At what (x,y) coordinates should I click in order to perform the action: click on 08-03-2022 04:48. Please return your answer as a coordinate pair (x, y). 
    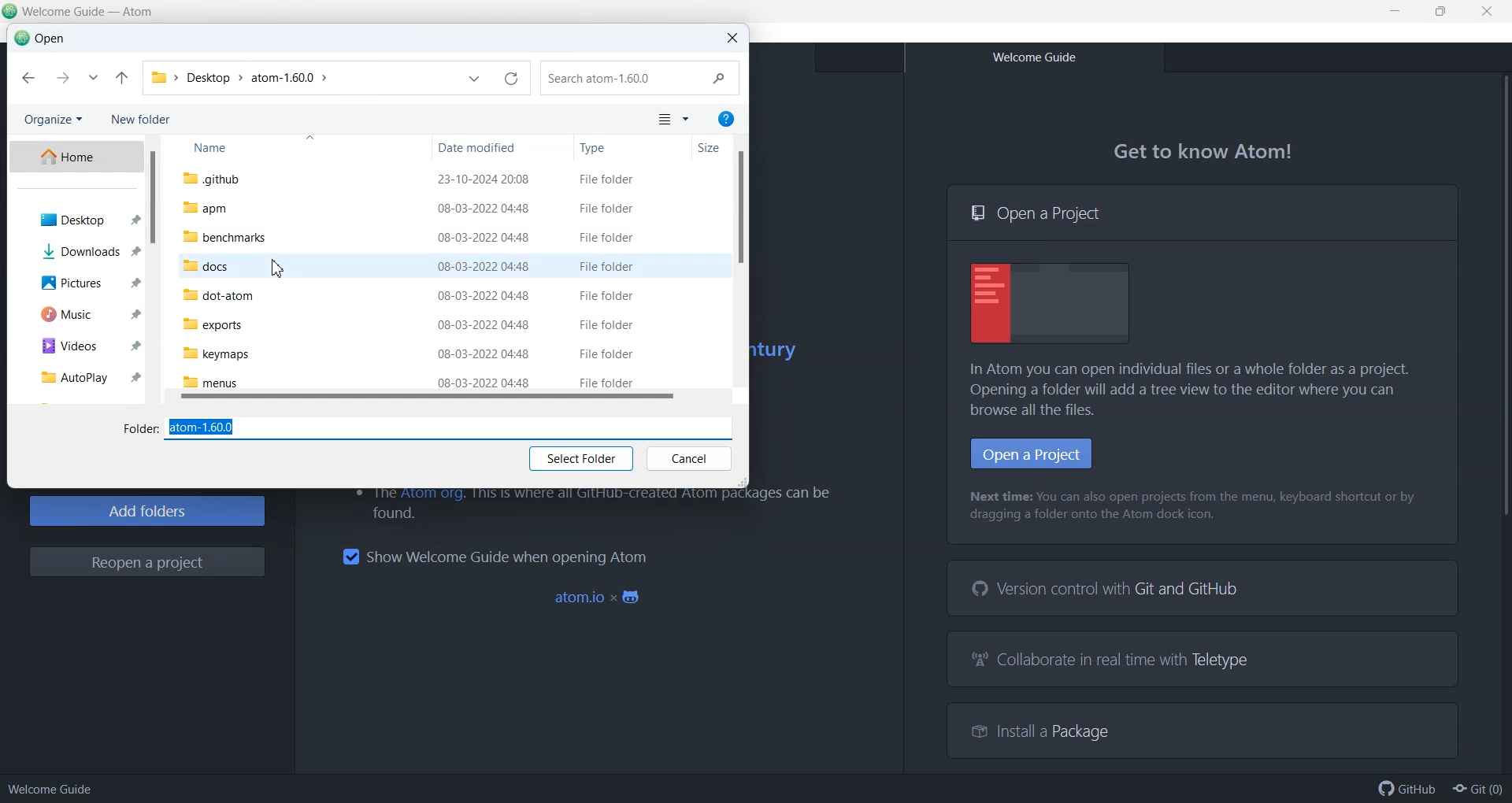
    Looking at the image, I should click on (484, 295).